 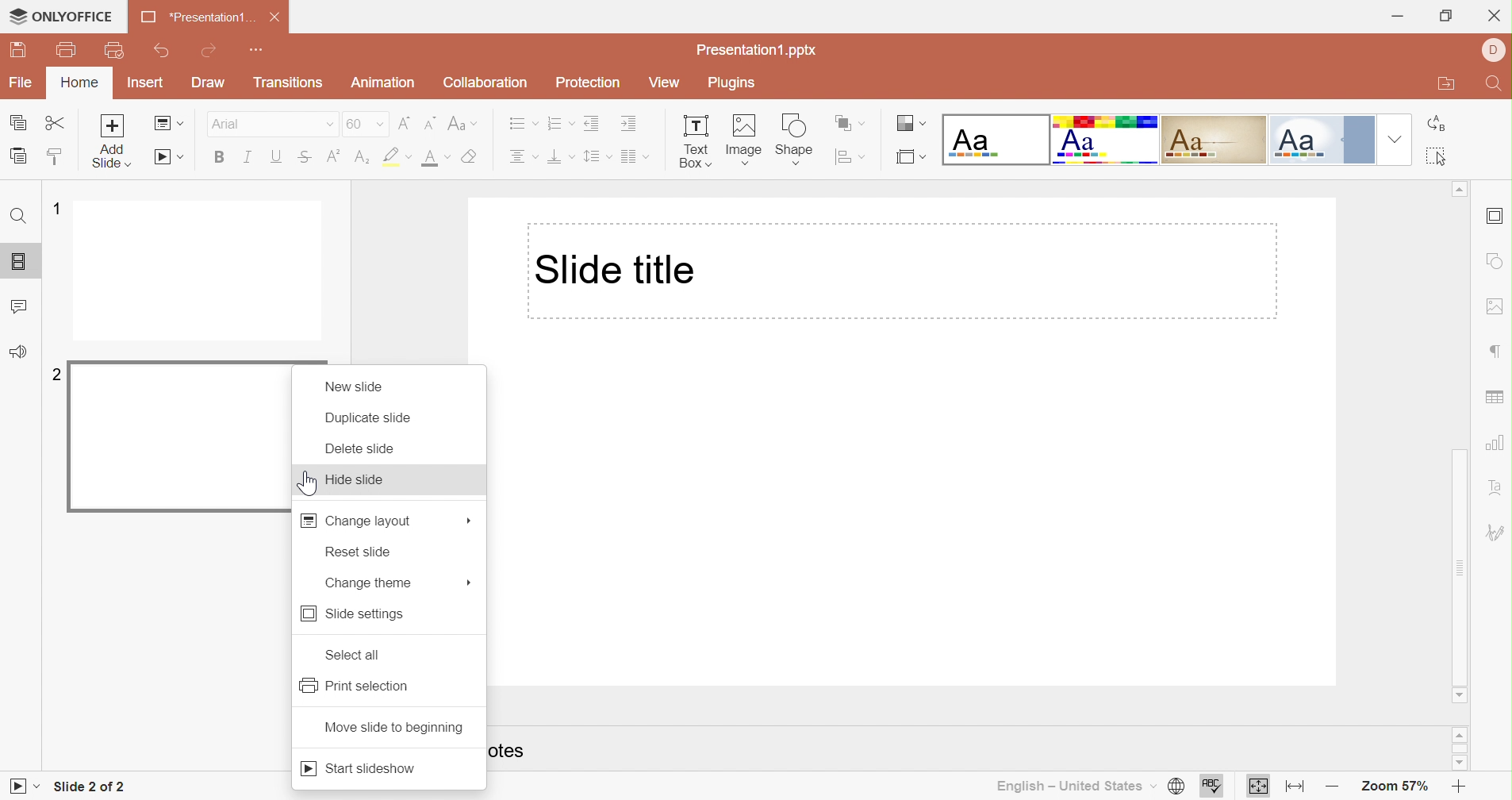 What do you see at coordinates (592, 123) in the screenshot?
I see `Decrease Indent` at bounding box center [592, 123].